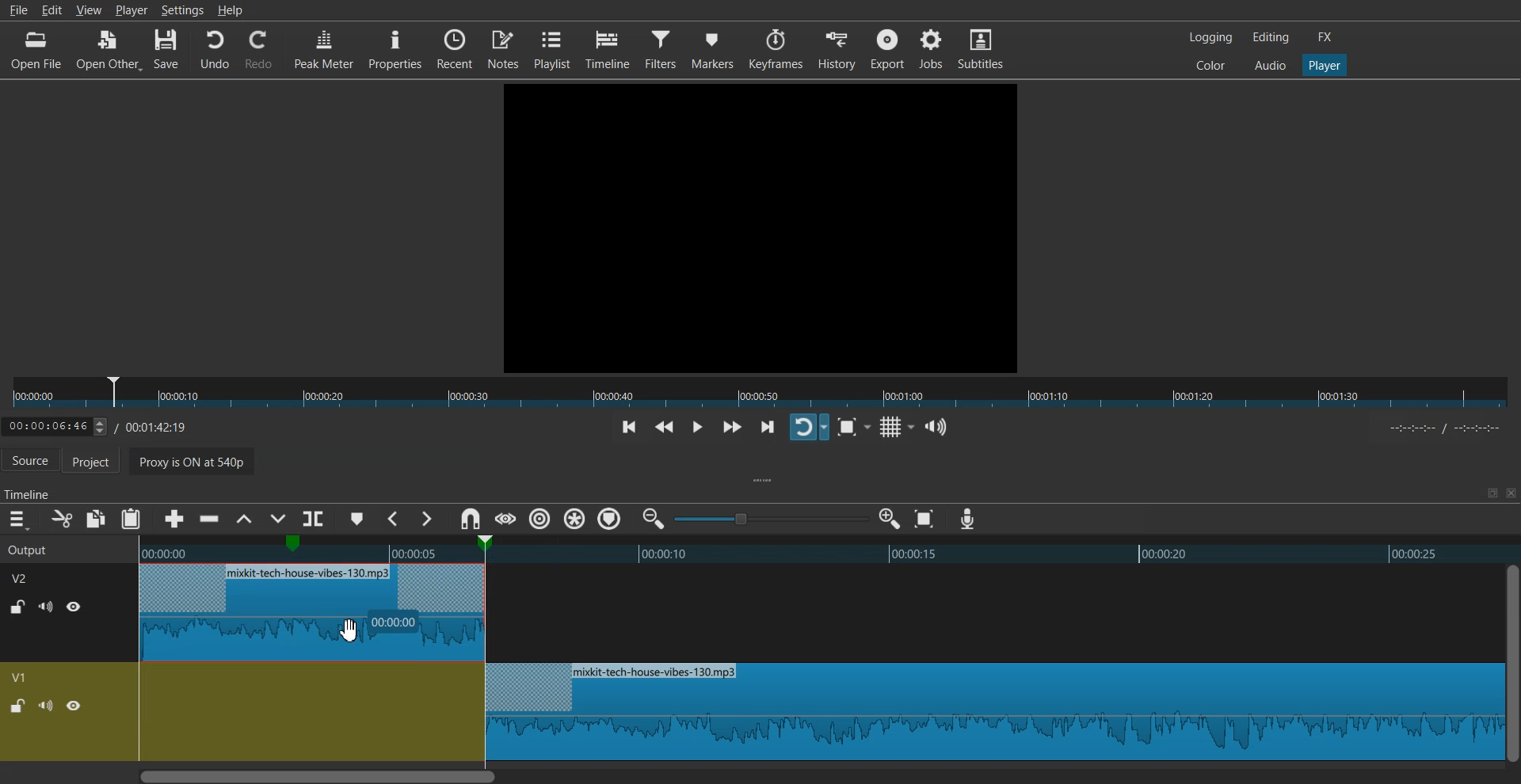 This screenshot has width=1521, height=784. I want to click on Zoom timeline to Fit, so click(924, 519).